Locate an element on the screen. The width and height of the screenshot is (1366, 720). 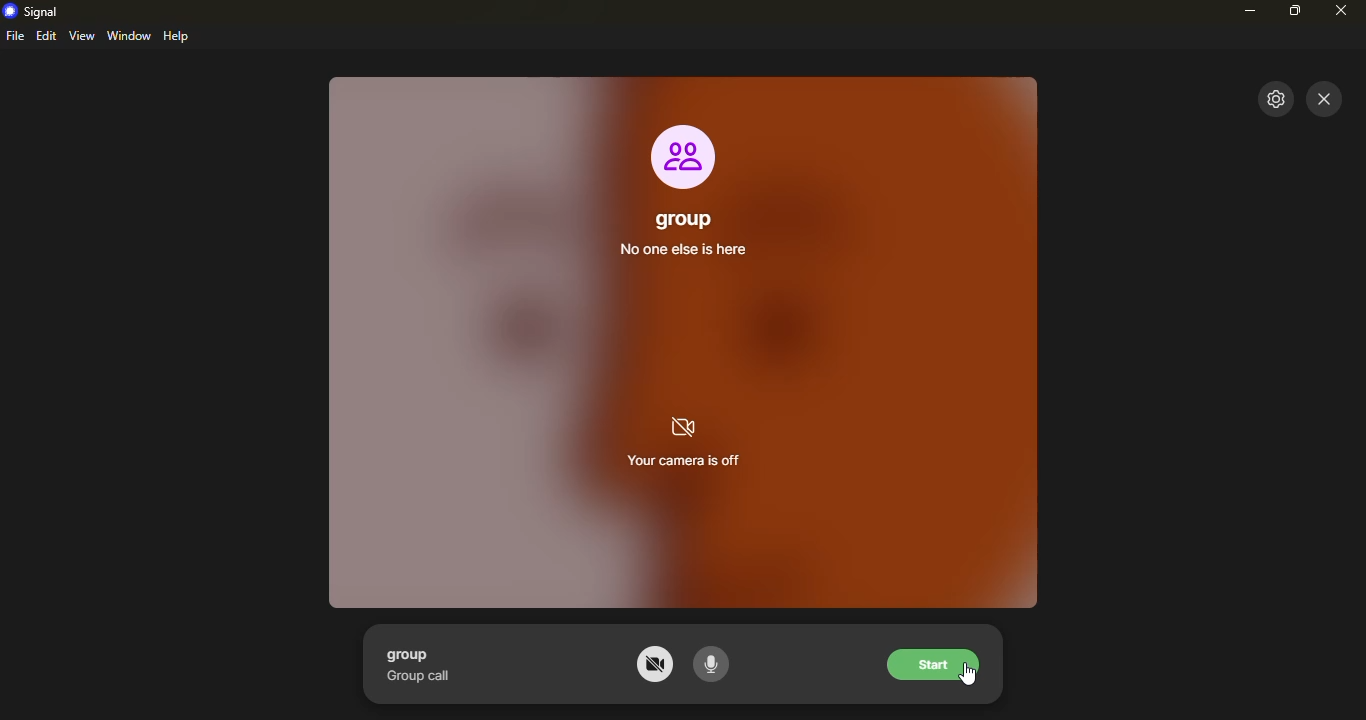
group is located at coordinates (409, 654).